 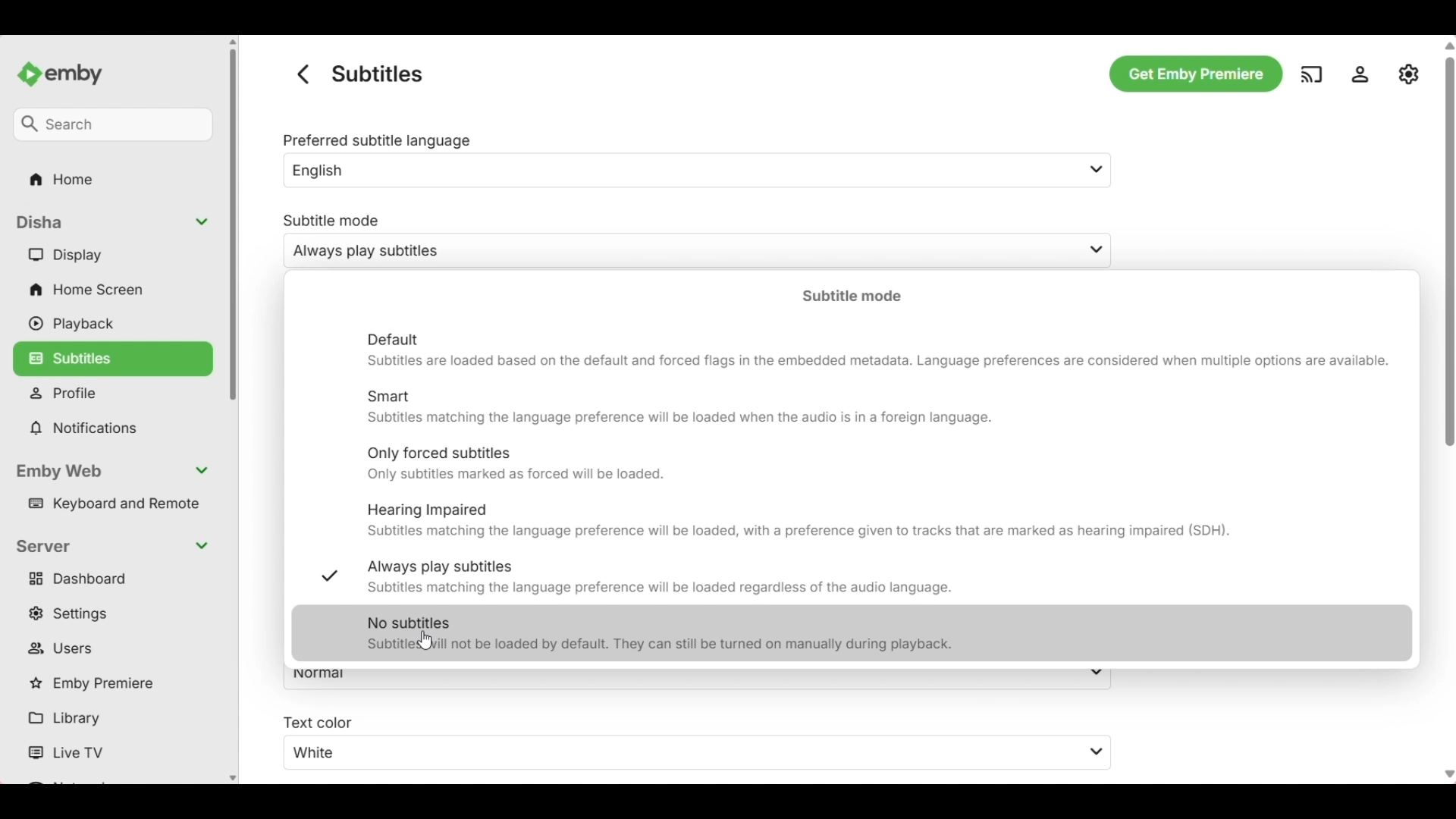 I want to click on Collapse Disha folder, so click(x=115, y=222).